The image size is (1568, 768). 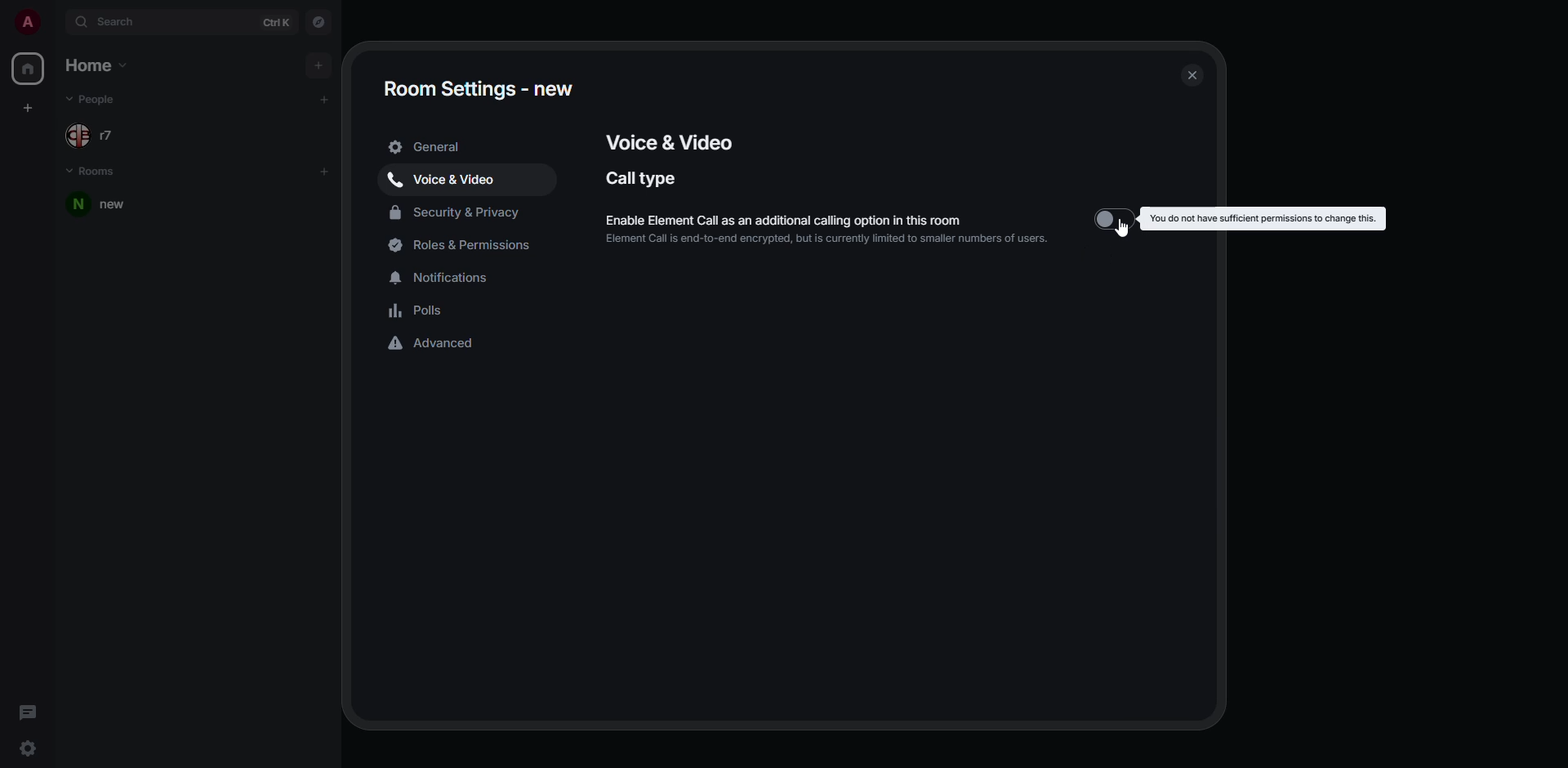 I want to click on you do not have permission, so click(x=1264, y=217).